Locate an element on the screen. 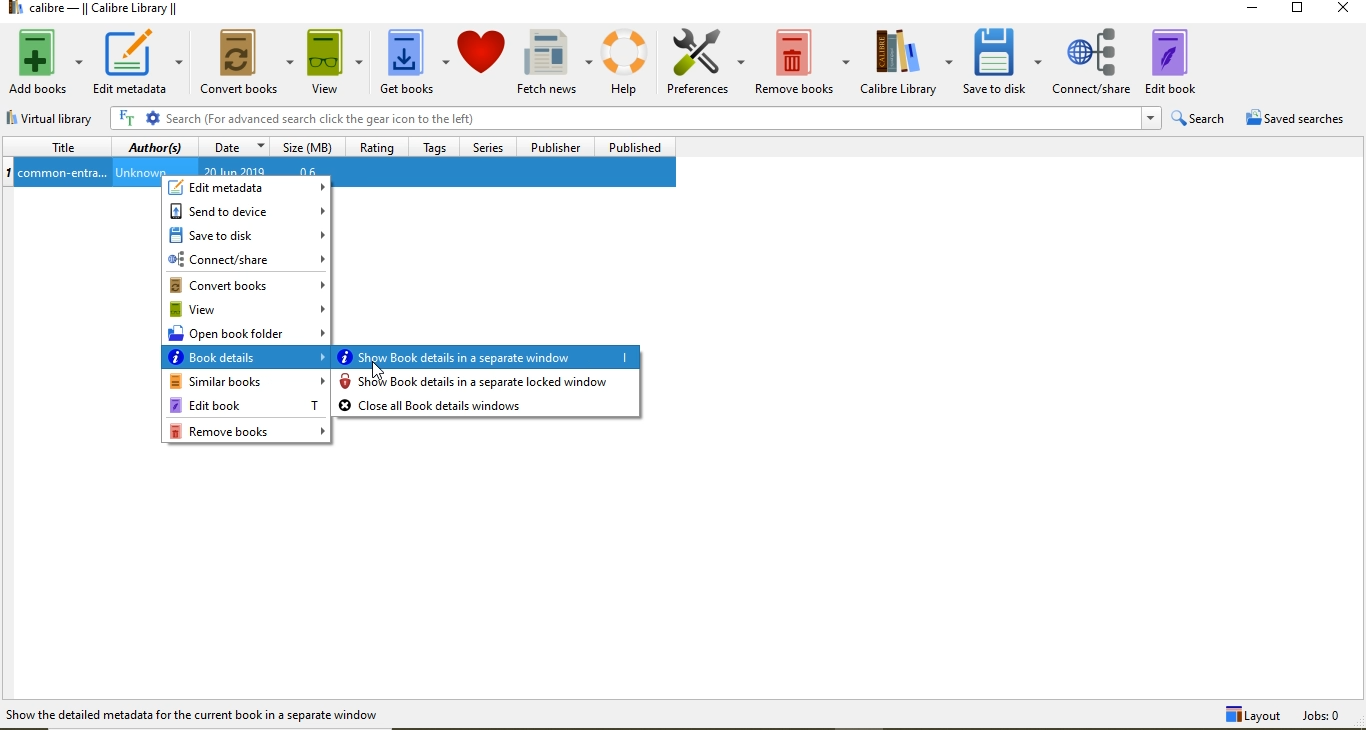  Restore is located at coordinates (1296, 11).